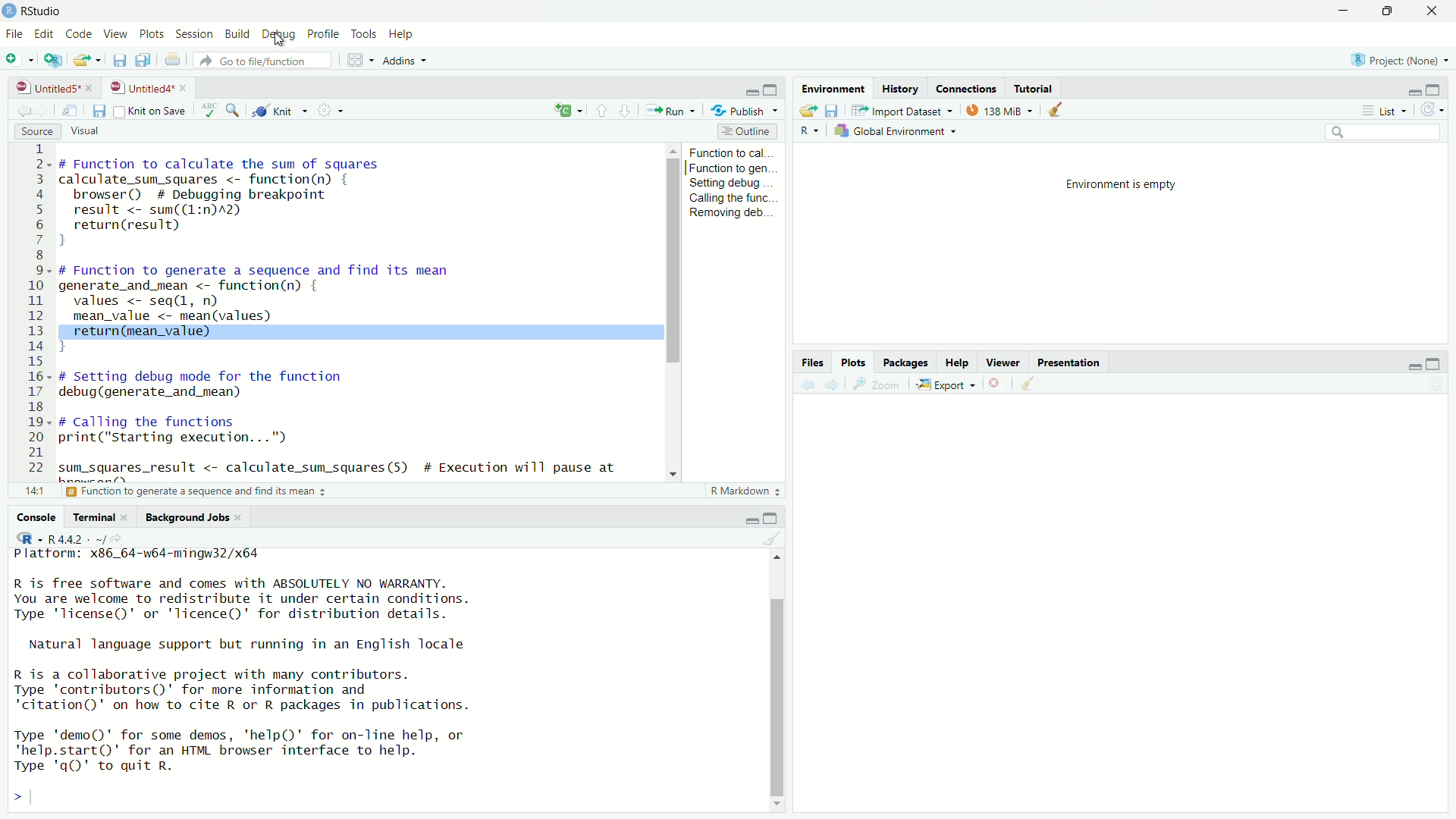 This screenshot has width=1456, height=819. I want to click on go to previous section/chunk, so click(599, 109).